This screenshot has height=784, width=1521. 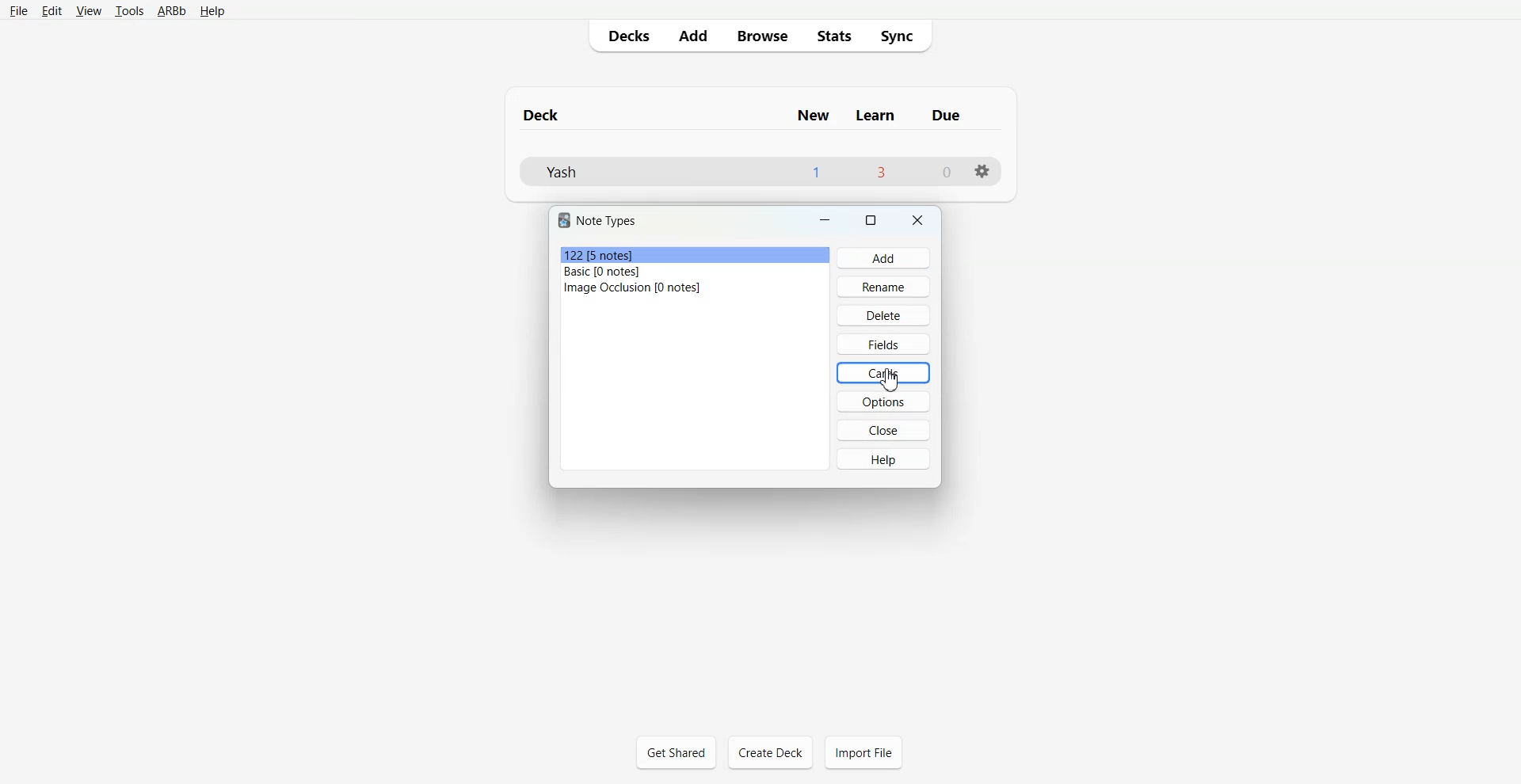 I want to click on ARBb, so click(x=171, y=12).